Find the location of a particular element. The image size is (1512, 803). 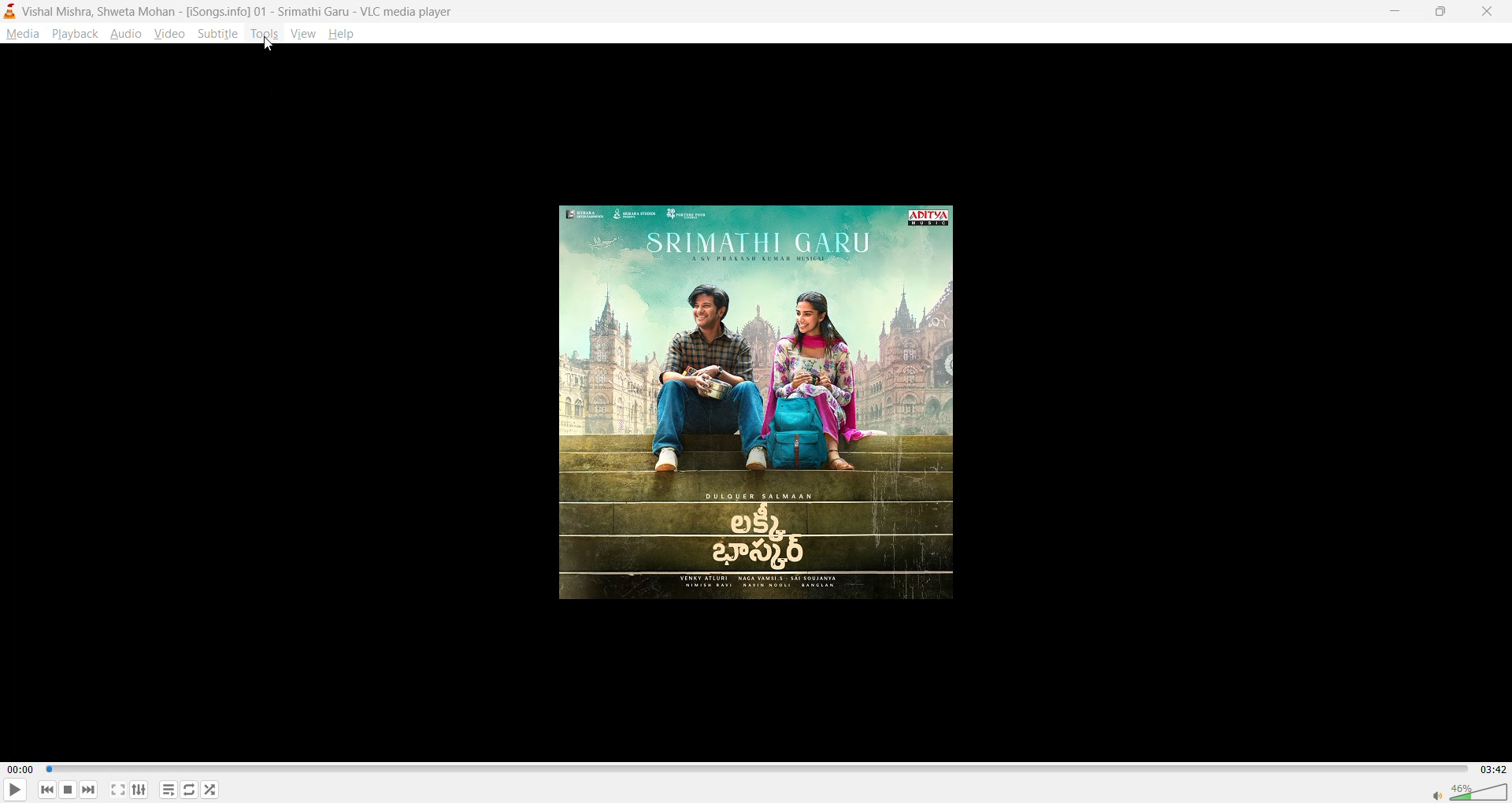

loop is located at coordinates (187, 789).